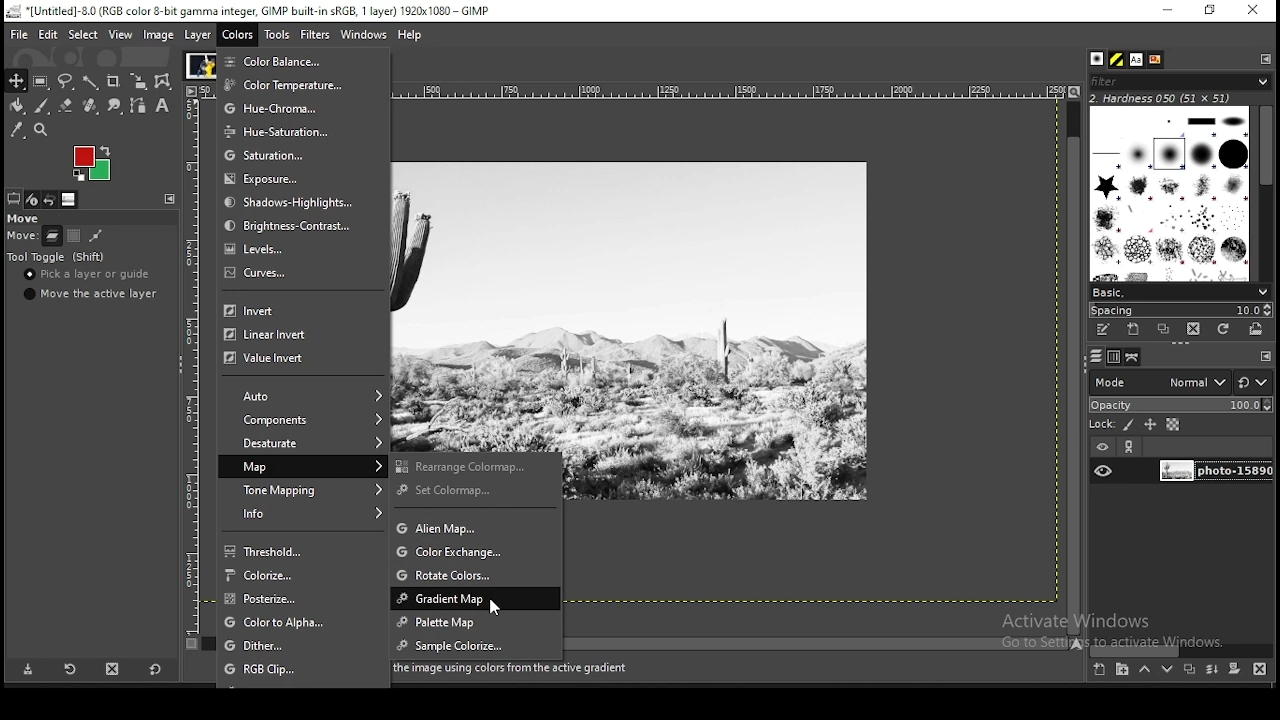 This screenshot has height=720, width=1280. I want to click on layer, so click(199, 35).